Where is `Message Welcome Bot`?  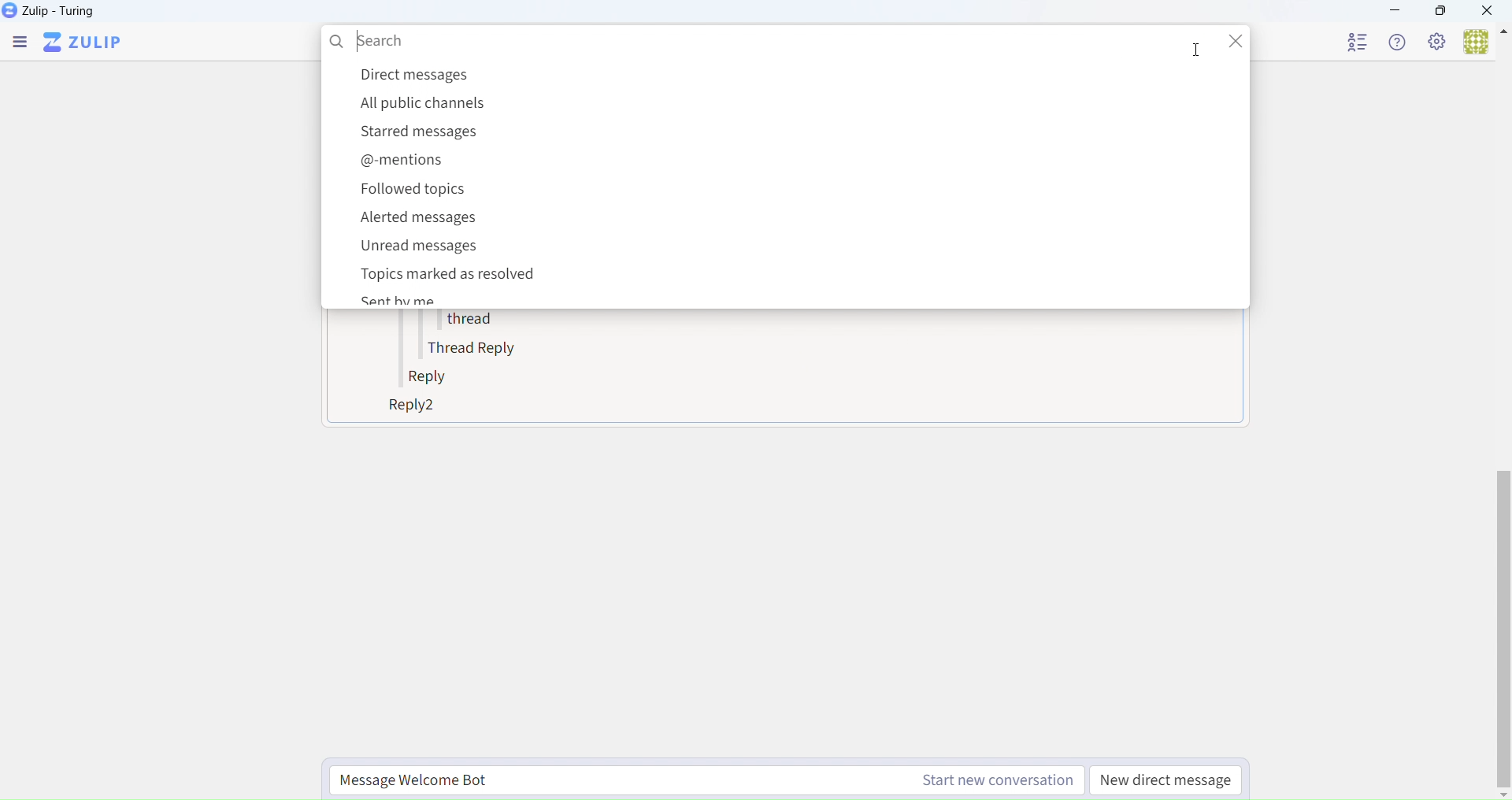 Message Welcome Bot is located at coordinates (702, 777).